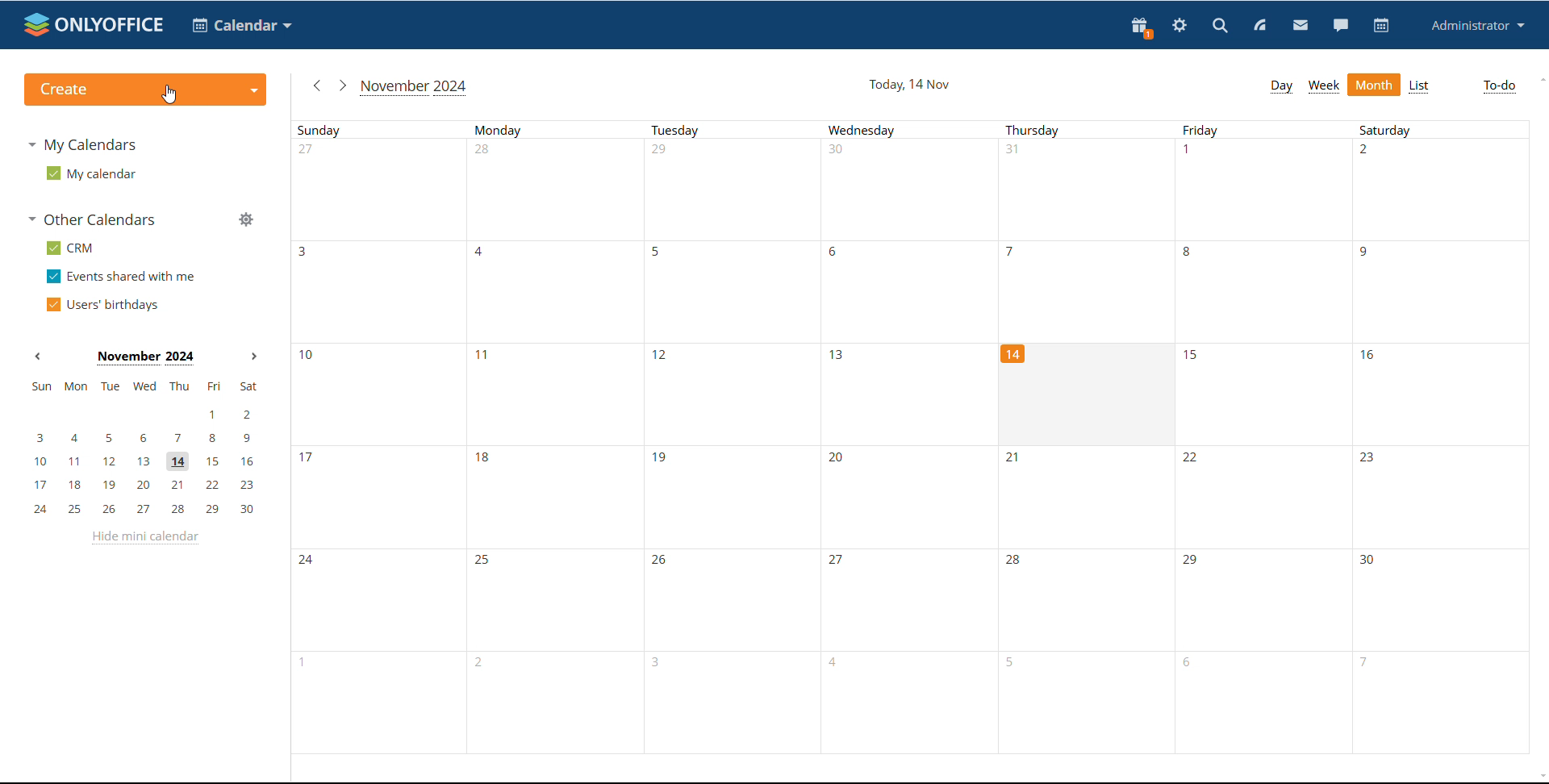  Describe the element at coordinates (148, 462) in the screenshot. I see `10, 11, 12, 13, 14, 15, 16` at that location.